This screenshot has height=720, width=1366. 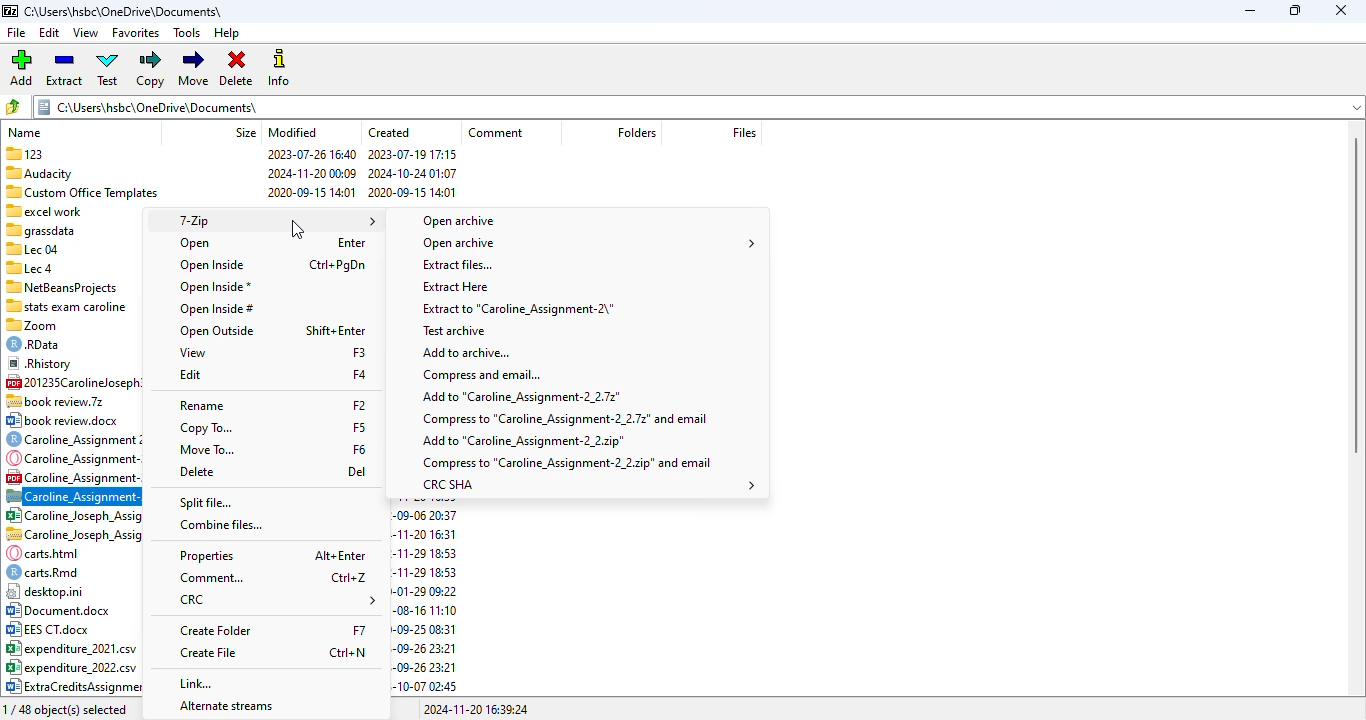 What do you see at coordinates (1293, 10) in the screenshot?
I see `maximize` at bounding box center [1293, 10].